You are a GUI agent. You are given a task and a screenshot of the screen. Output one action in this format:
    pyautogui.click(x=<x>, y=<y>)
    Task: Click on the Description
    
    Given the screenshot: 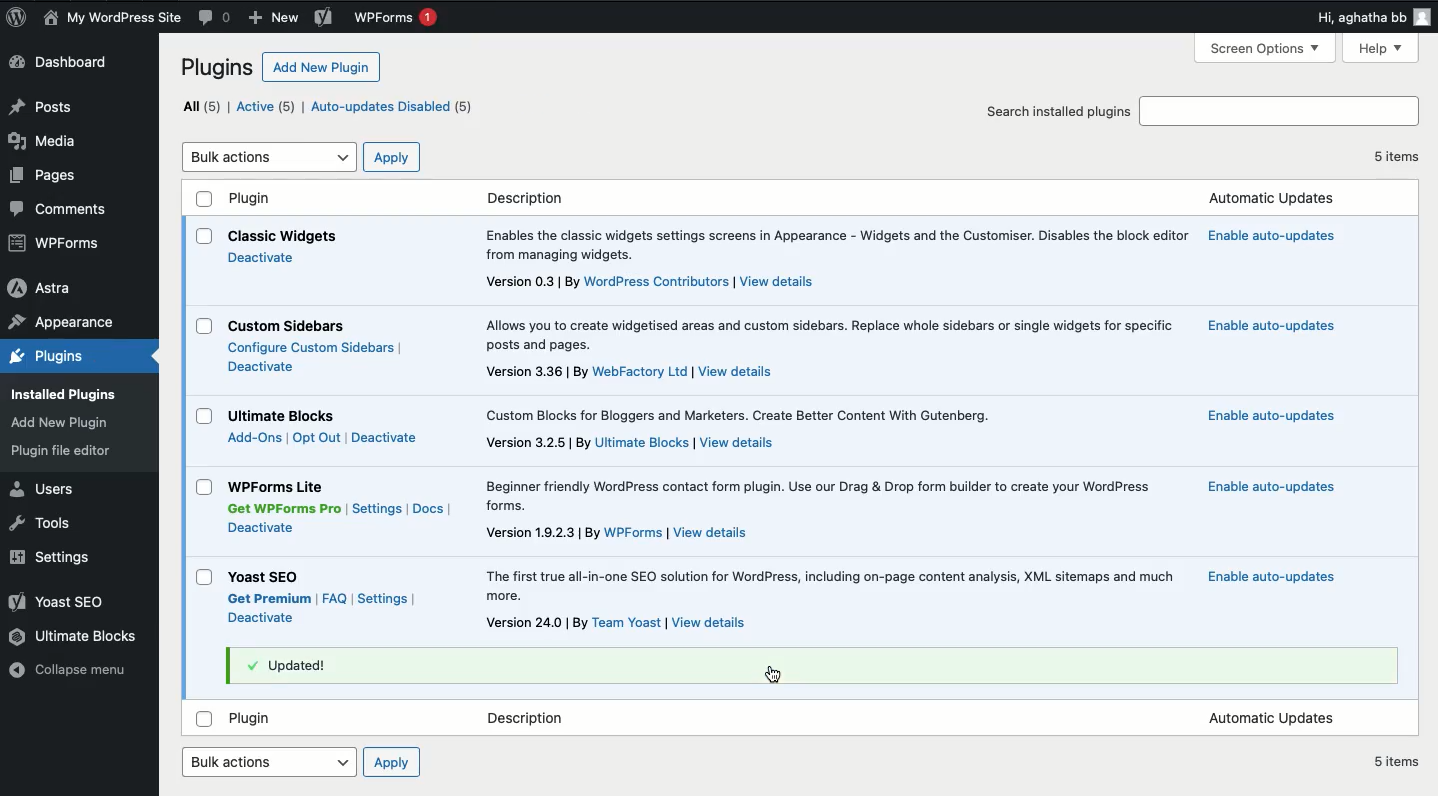 What is the action you would take?
    pyautogui.click(x=829, y=334)
    